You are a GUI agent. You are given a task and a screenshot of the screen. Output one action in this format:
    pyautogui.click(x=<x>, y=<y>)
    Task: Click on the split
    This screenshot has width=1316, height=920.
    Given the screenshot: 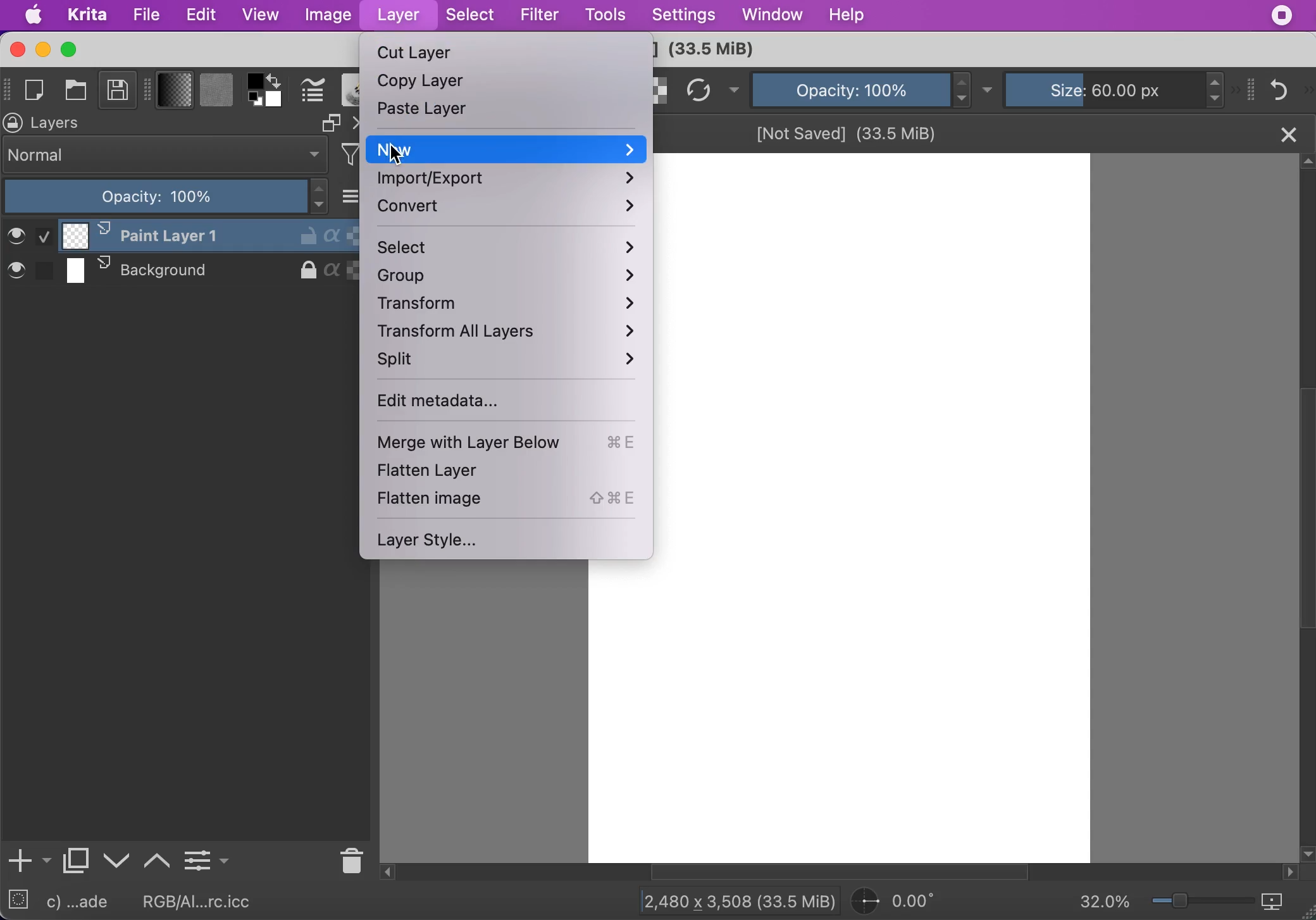 What is the action you would take?
    pyautogui.click(x=507, y=364)
    